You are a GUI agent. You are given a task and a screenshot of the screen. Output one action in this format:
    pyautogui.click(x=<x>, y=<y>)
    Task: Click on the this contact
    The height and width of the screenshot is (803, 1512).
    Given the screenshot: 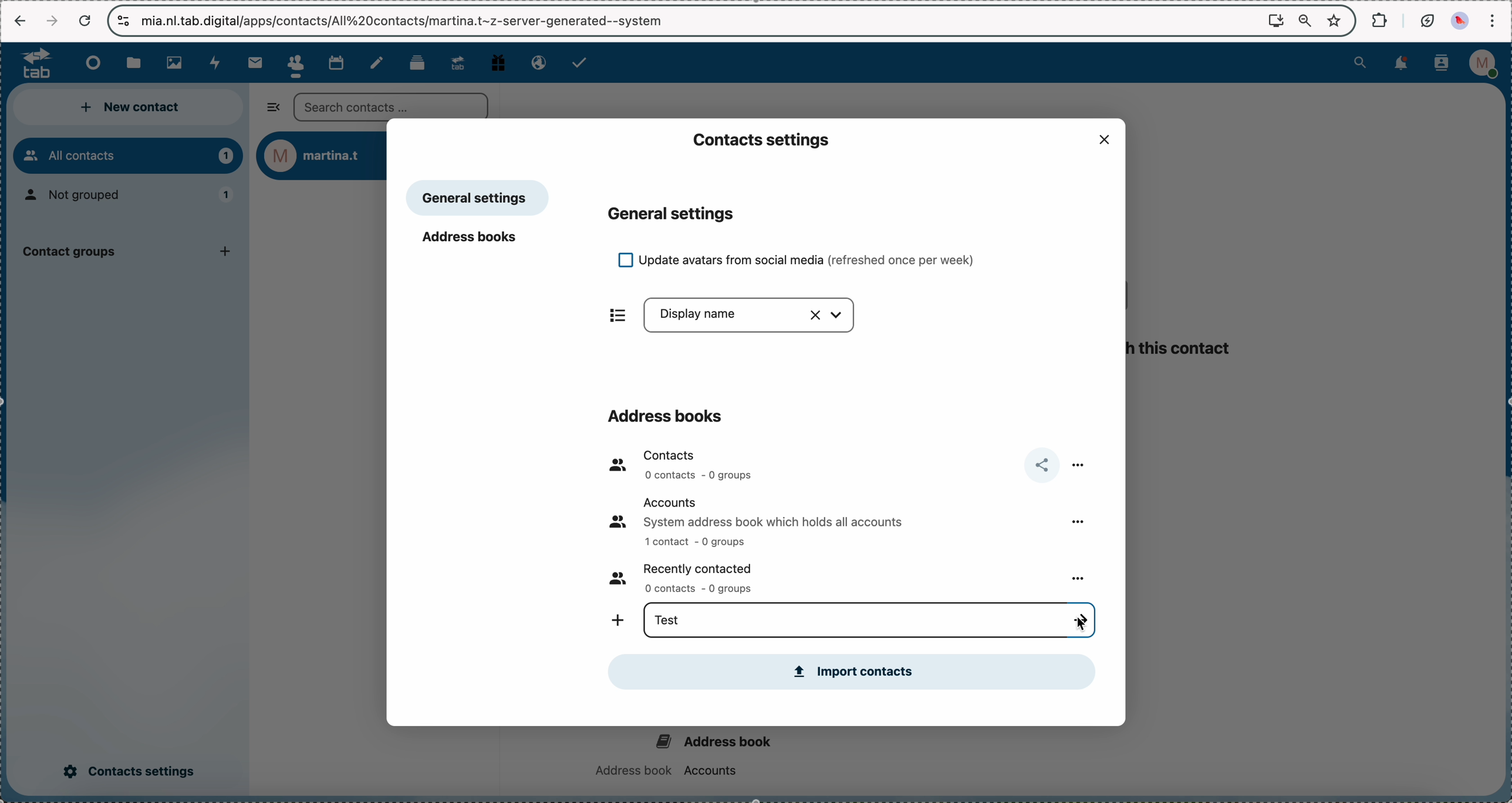 What is the action you would take?
    pyautogui.click(x=1183, y=349)
    